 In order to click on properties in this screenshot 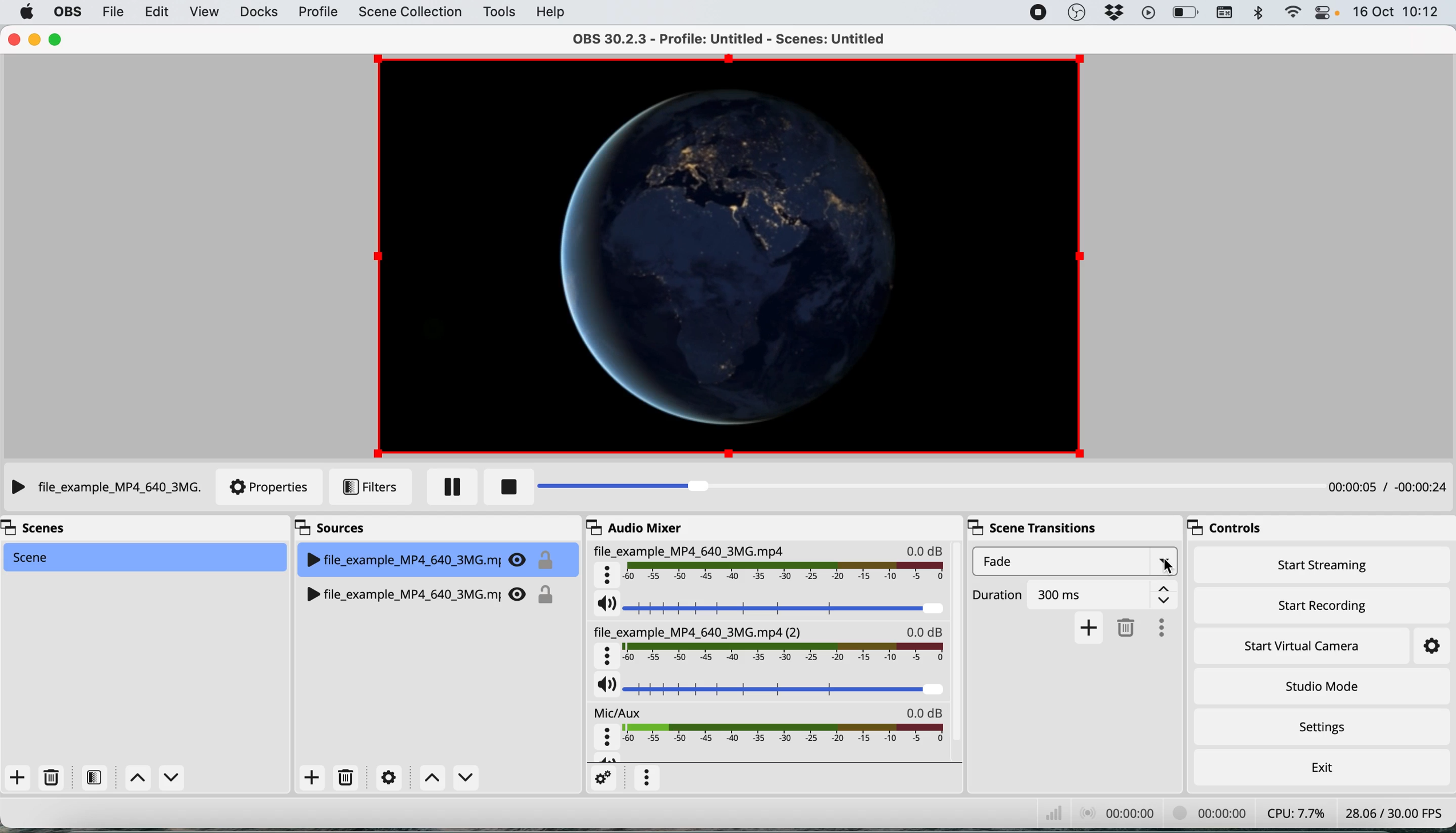, I will do `click(272, 491)`.